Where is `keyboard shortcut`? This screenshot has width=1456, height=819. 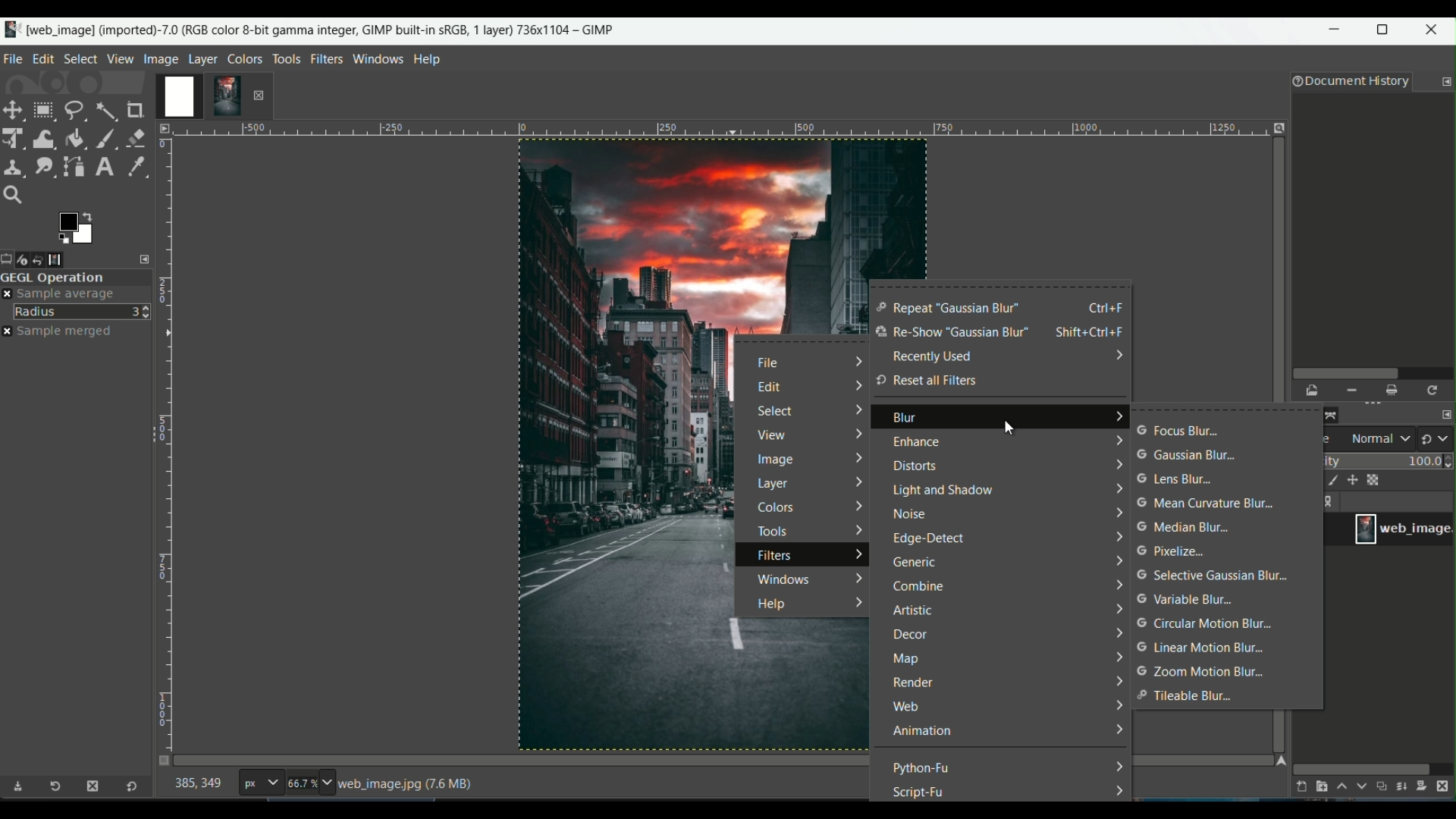
keyboard shortcut is located at coordinates (1107, 307).